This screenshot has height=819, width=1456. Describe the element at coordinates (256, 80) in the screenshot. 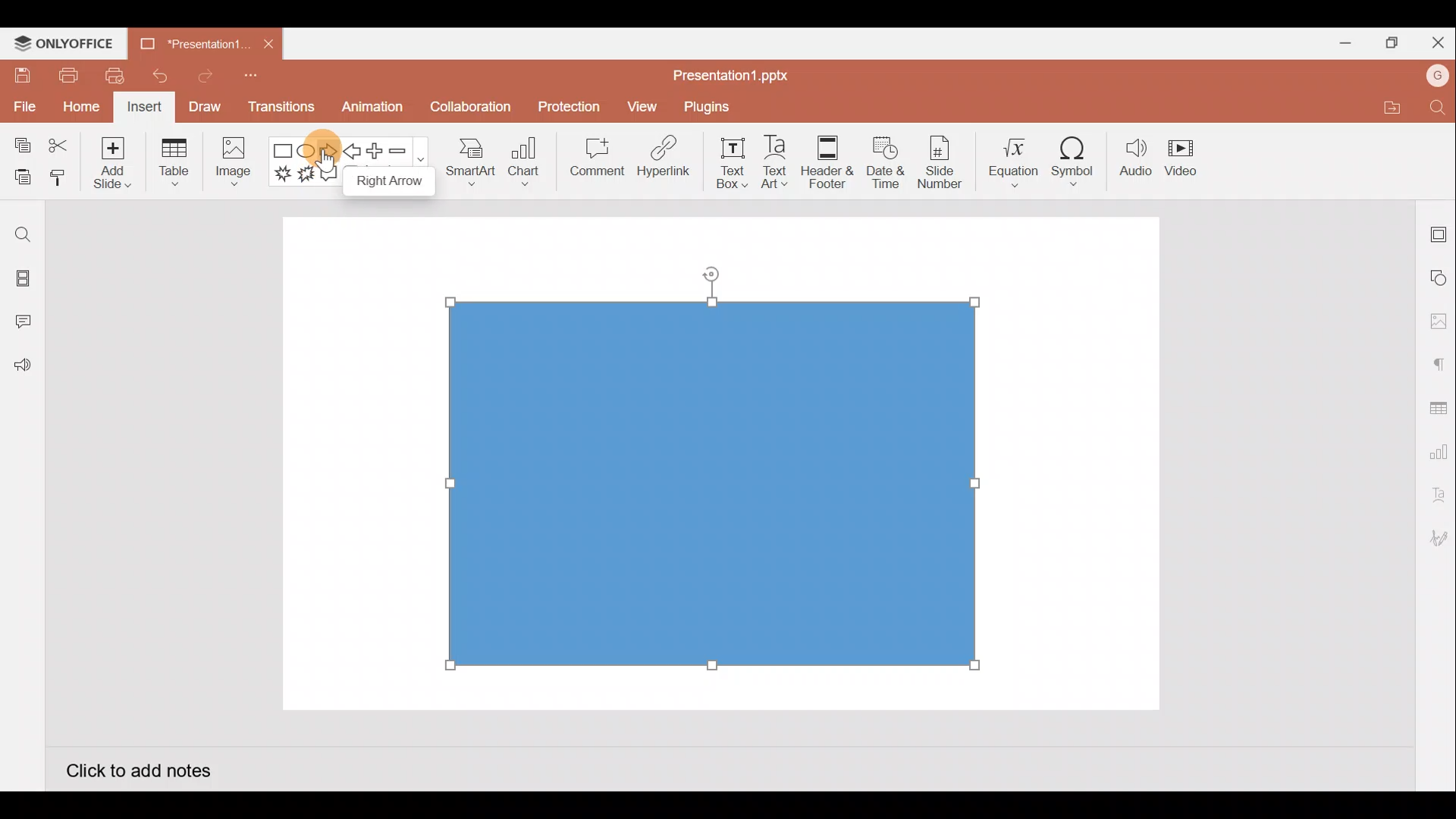

I see `Customize quick access toolbar` at that location.